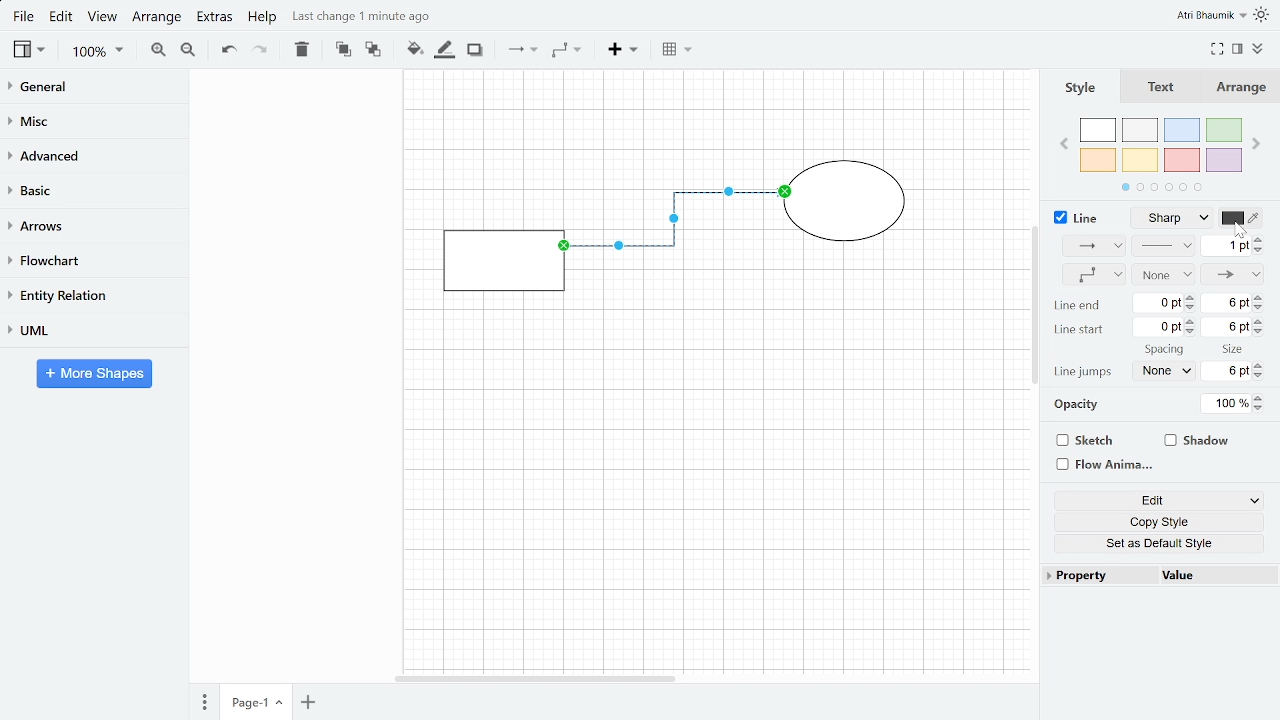  What do you see at coordinates (1262, 333) in the screenshot?
I see `Decrease line start size` at bounding box center [1262, 333].